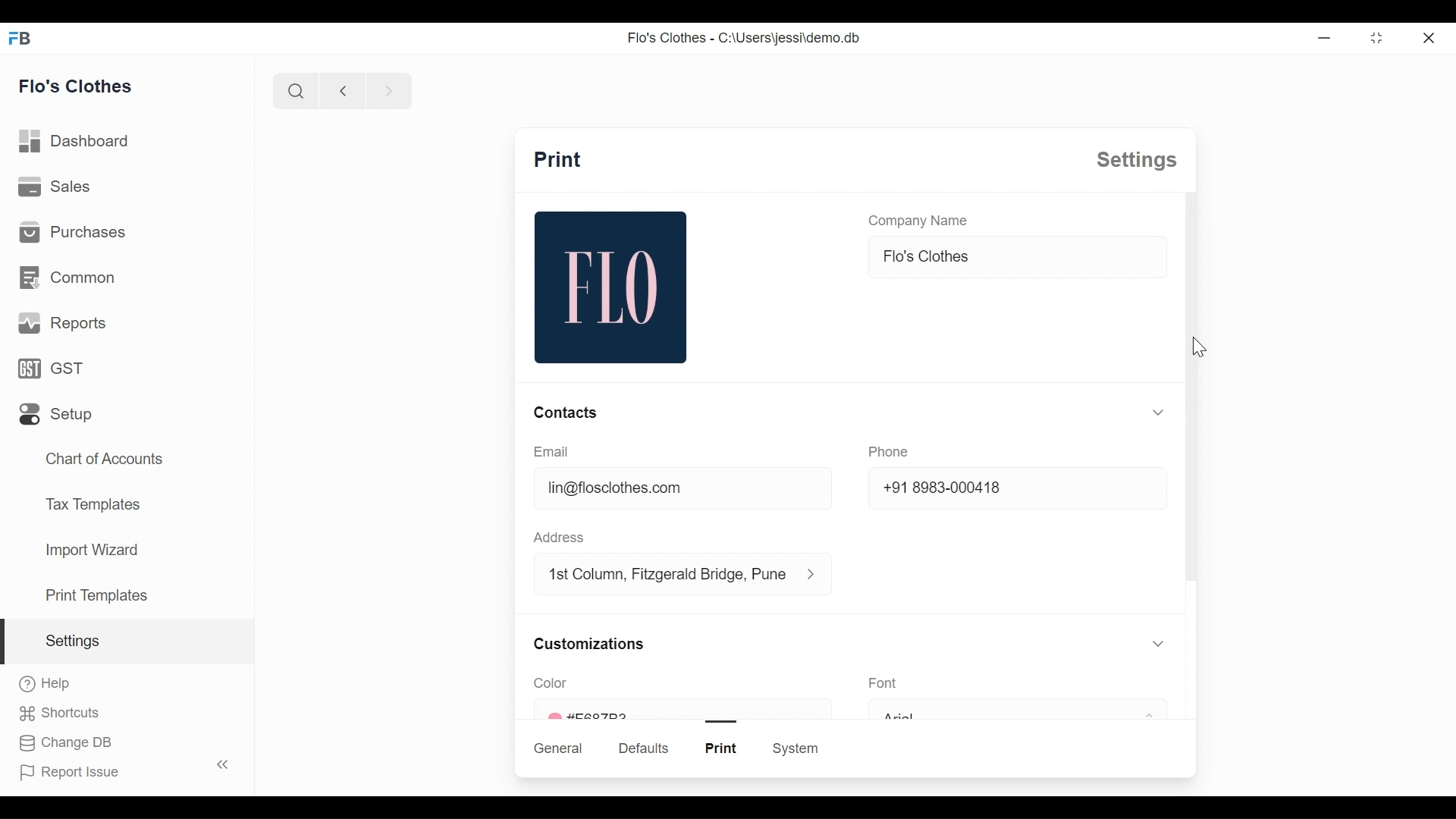  I want to click on help, so click(45, 683).